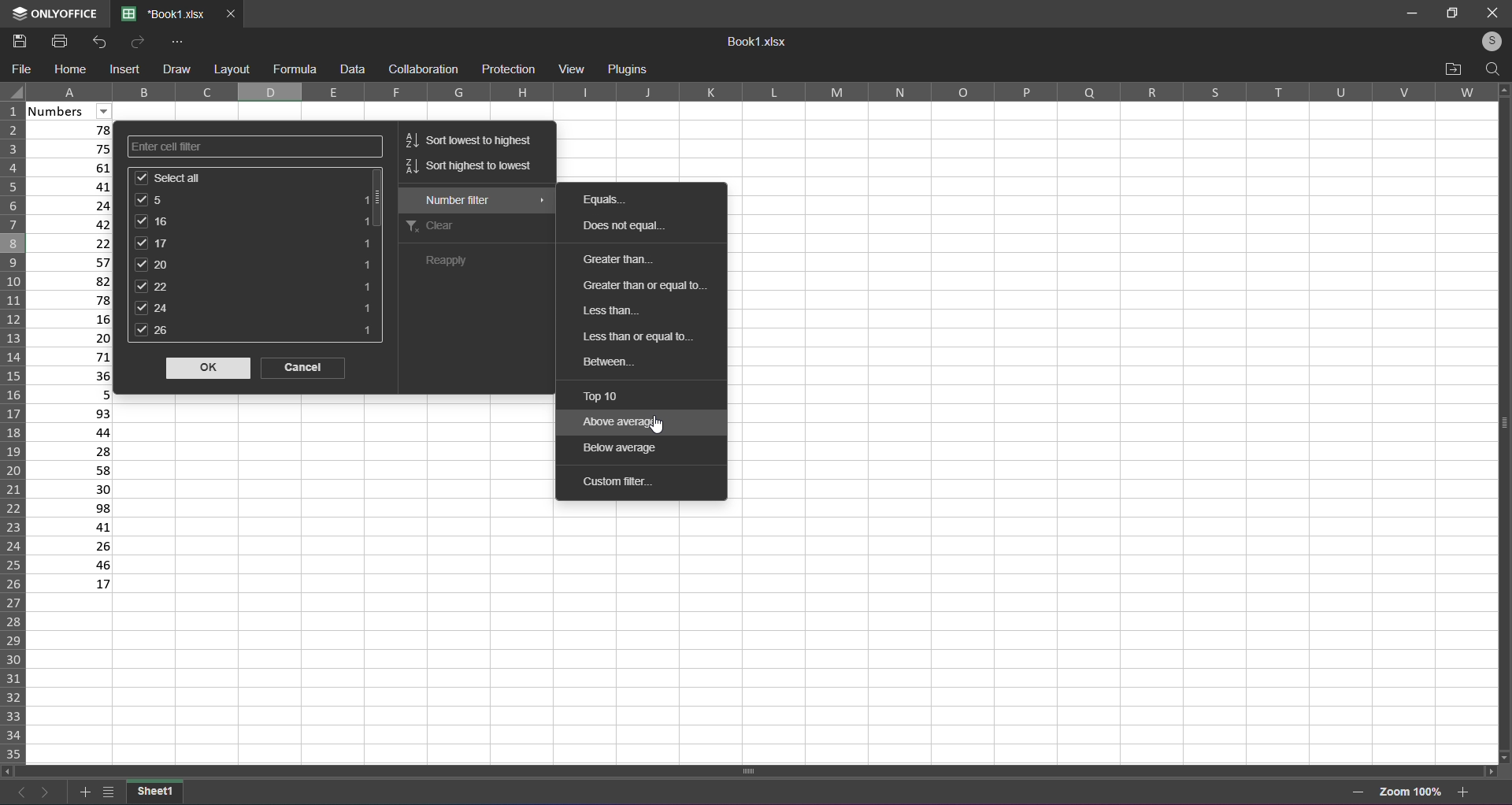  Describe the element at coordinates (127, 70) in the screenshot. I see `insert` at that location.